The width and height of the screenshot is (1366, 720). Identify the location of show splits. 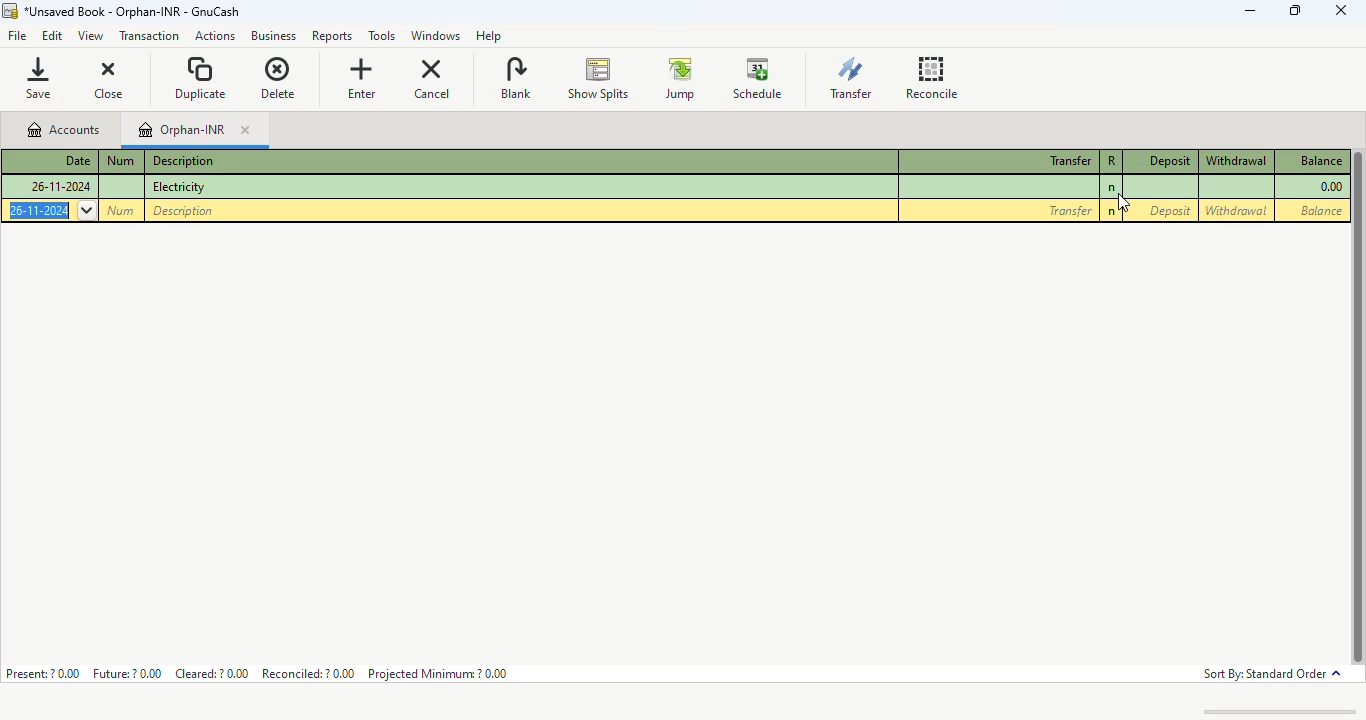
(599, 79).